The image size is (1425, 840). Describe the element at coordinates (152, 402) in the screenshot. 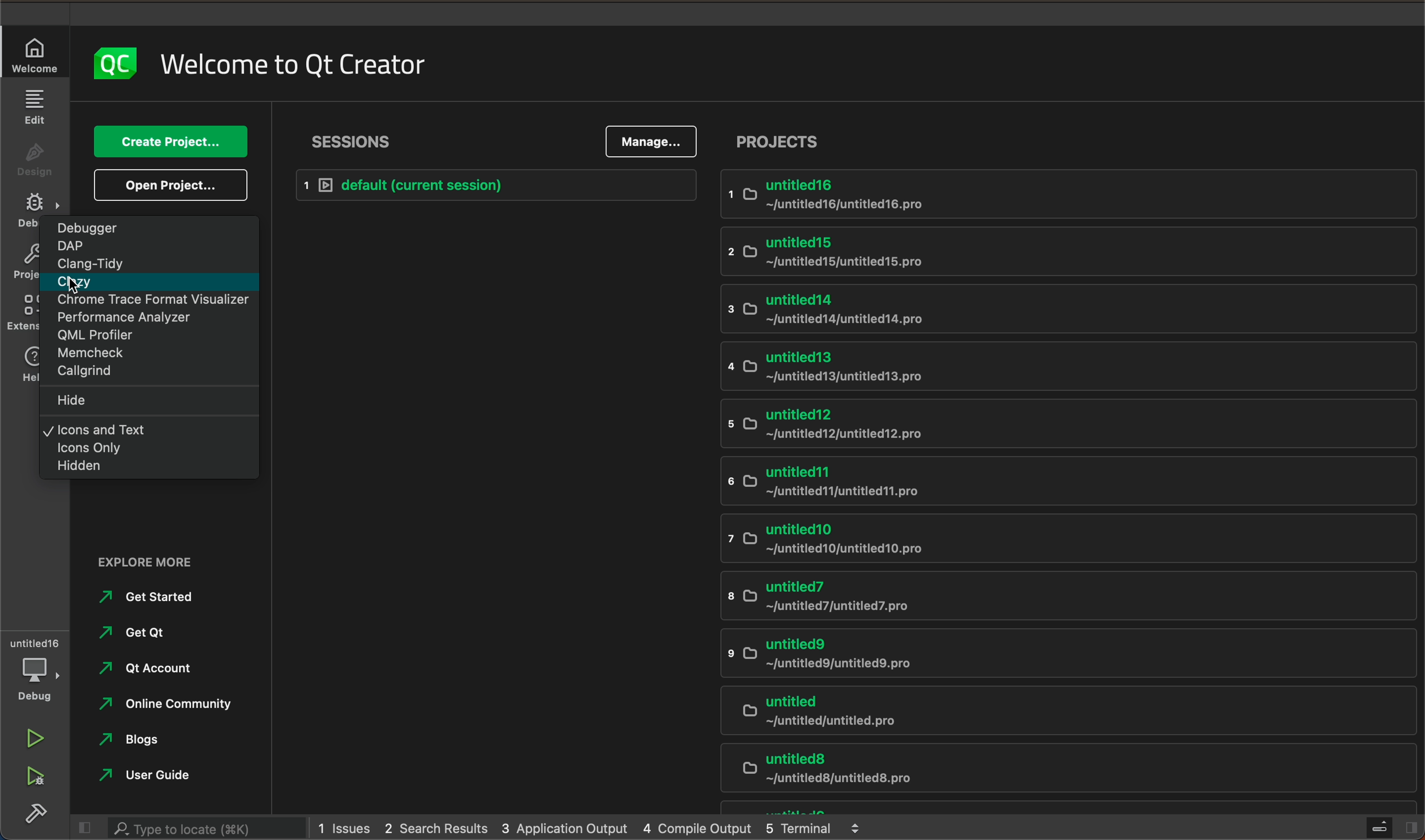

I see `hide` at that location.